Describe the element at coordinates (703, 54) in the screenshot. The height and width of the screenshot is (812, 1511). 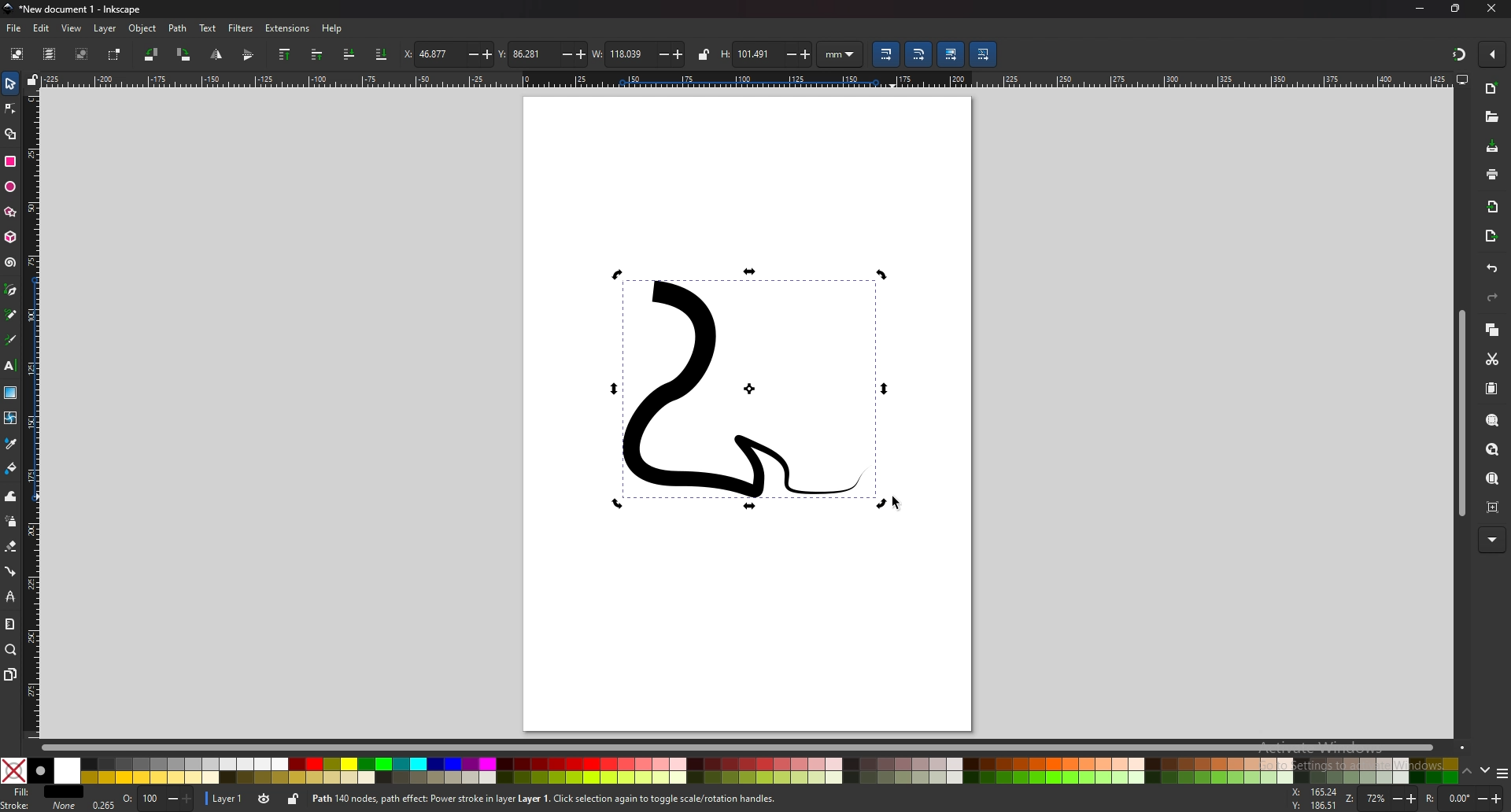
I see `lock` at that location.